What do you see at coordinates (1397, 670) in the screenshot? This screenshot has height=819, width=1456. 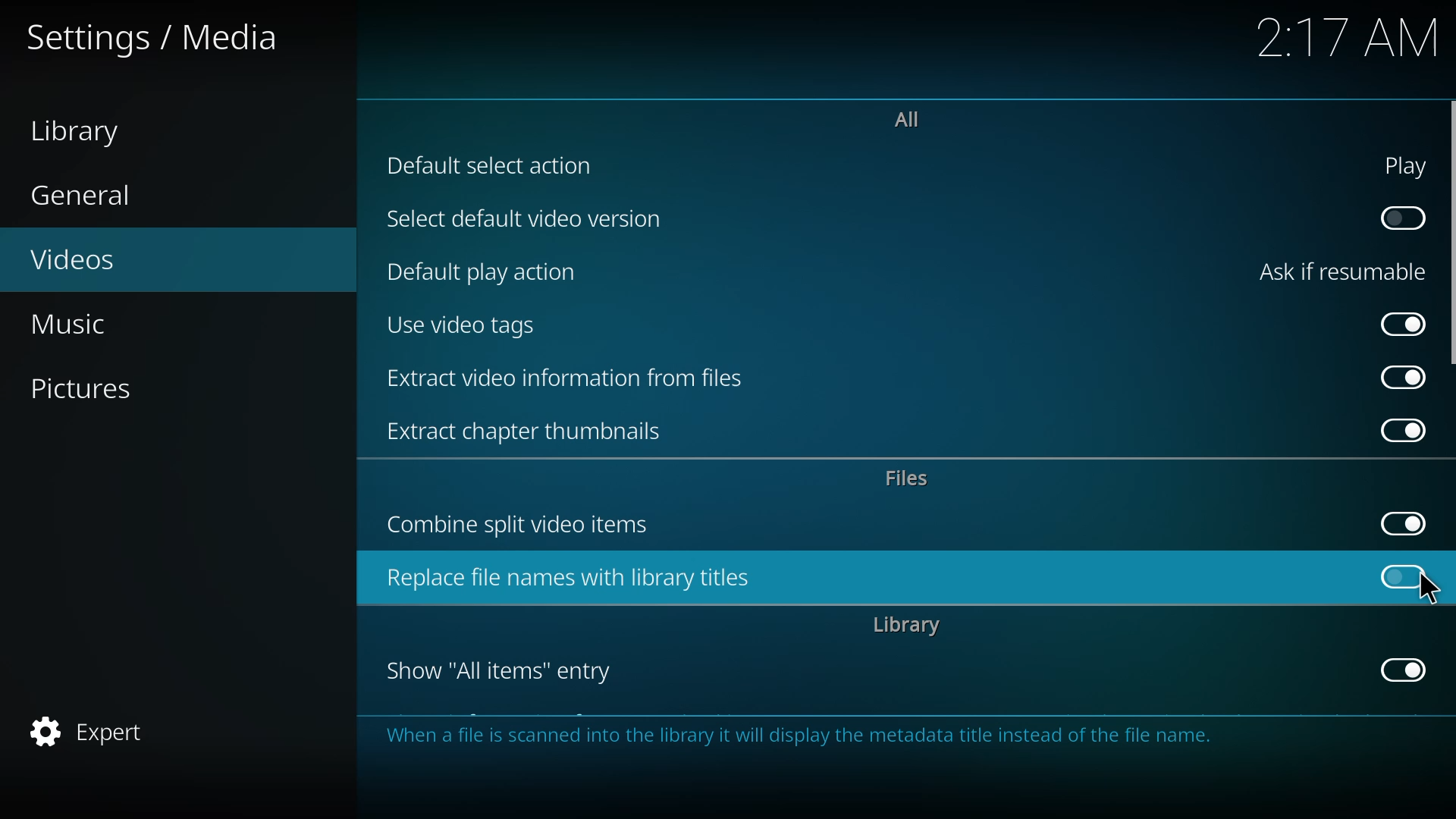 I see `enabled` at bounding box center [1397, 670].